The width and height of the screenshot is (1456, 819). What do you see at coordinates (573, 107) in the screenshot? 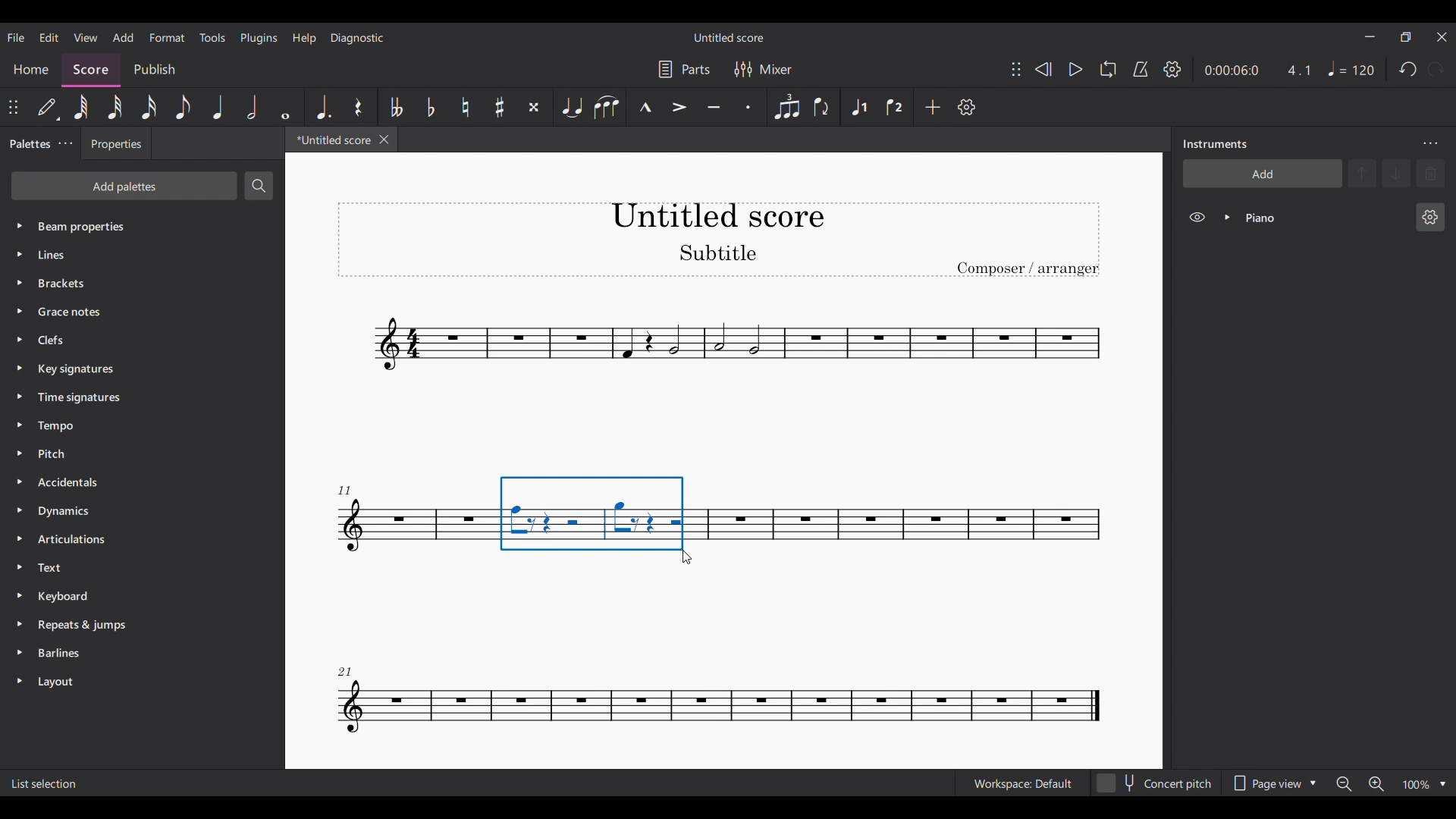
I see `Tie` at bounding box center [573, 107].